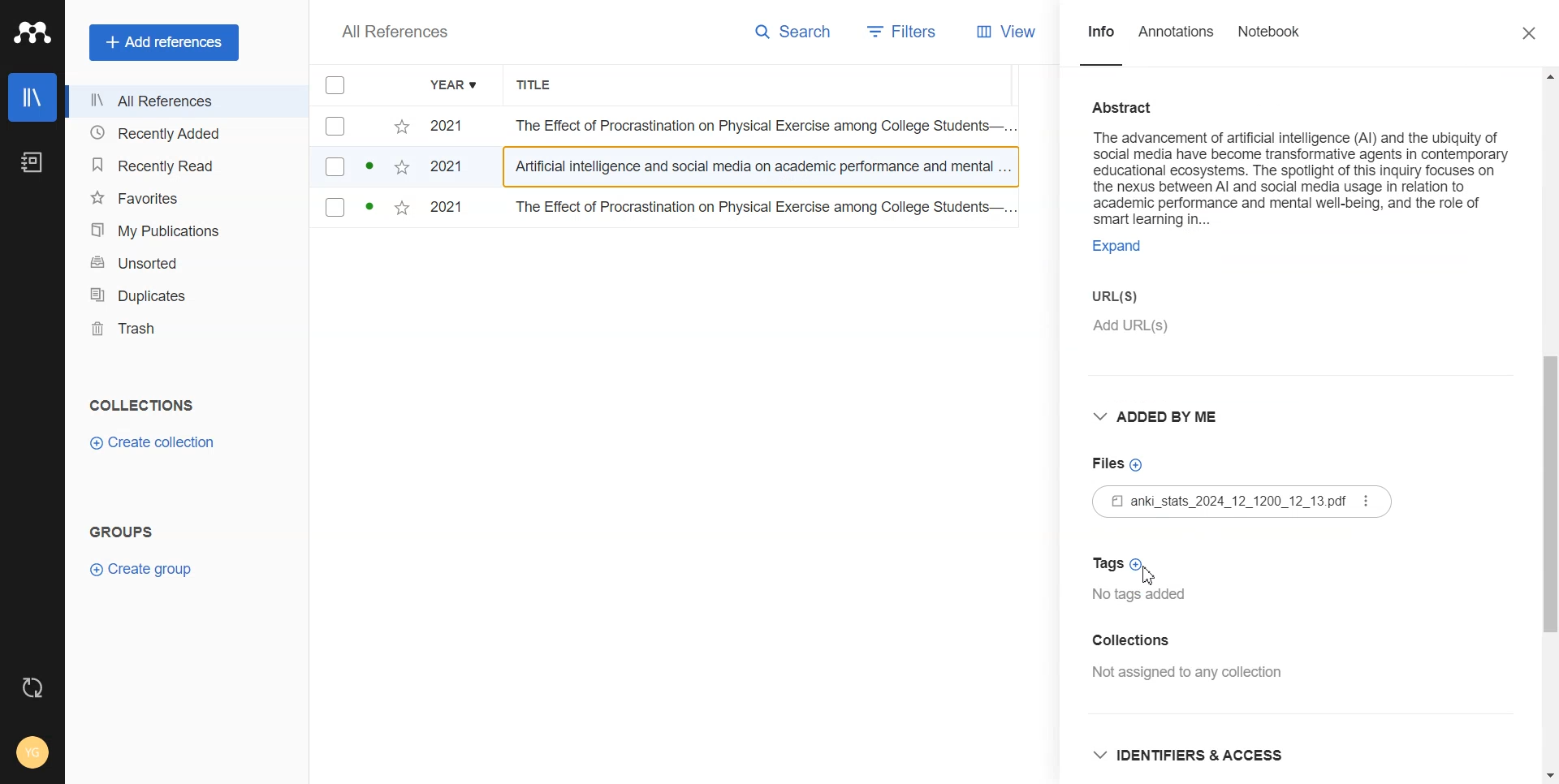  Describe the element at coordinates (1118, 296) in the screenshot. I see `Enter URLS` at that location.